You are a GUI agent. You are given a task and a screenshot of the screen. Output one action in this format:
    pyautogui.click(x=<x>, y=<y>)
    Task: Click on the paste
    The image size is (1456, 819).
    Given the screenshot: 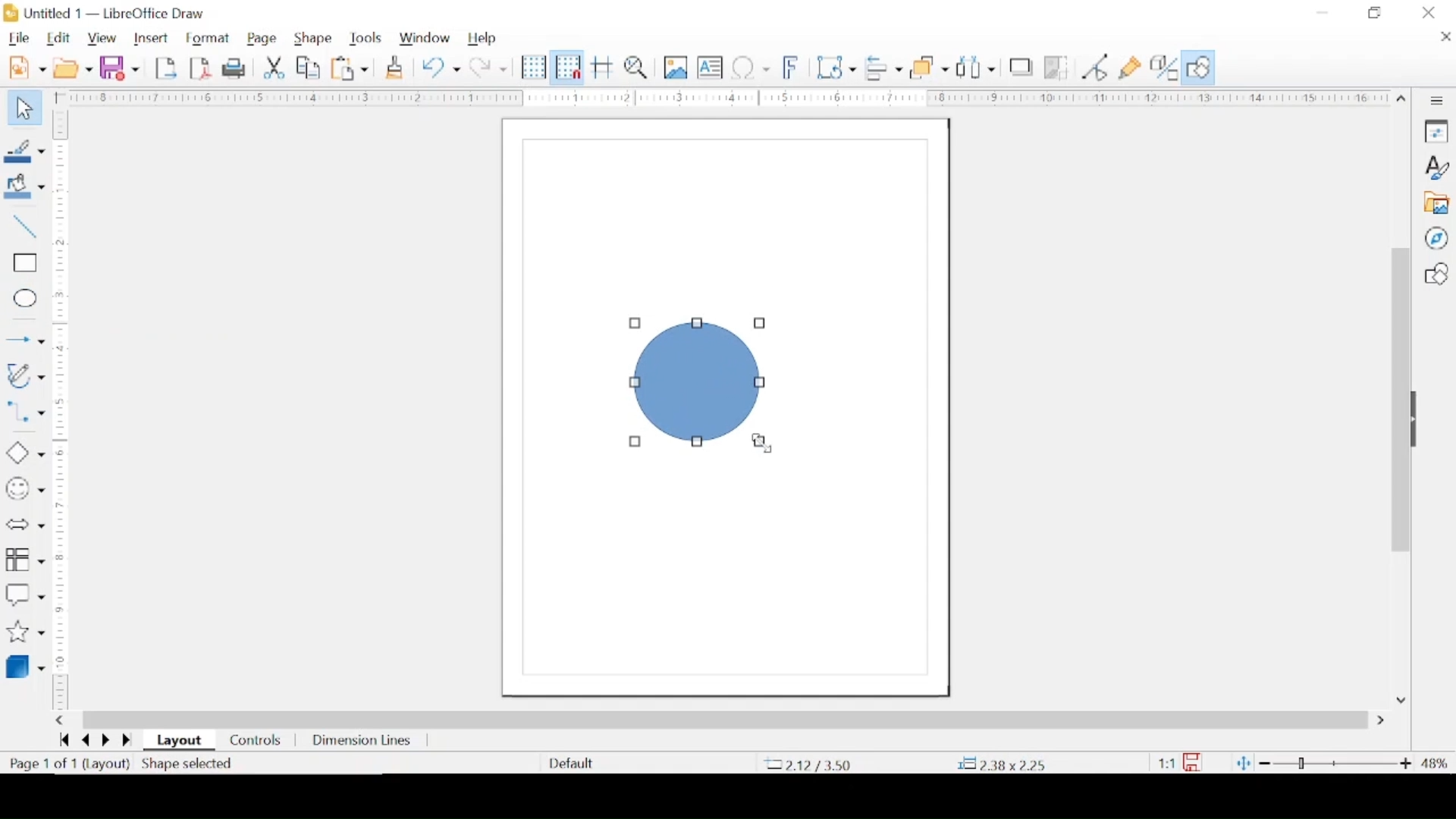 What is the action you would take?
    pyautogui.click(x=351, y=69)
    